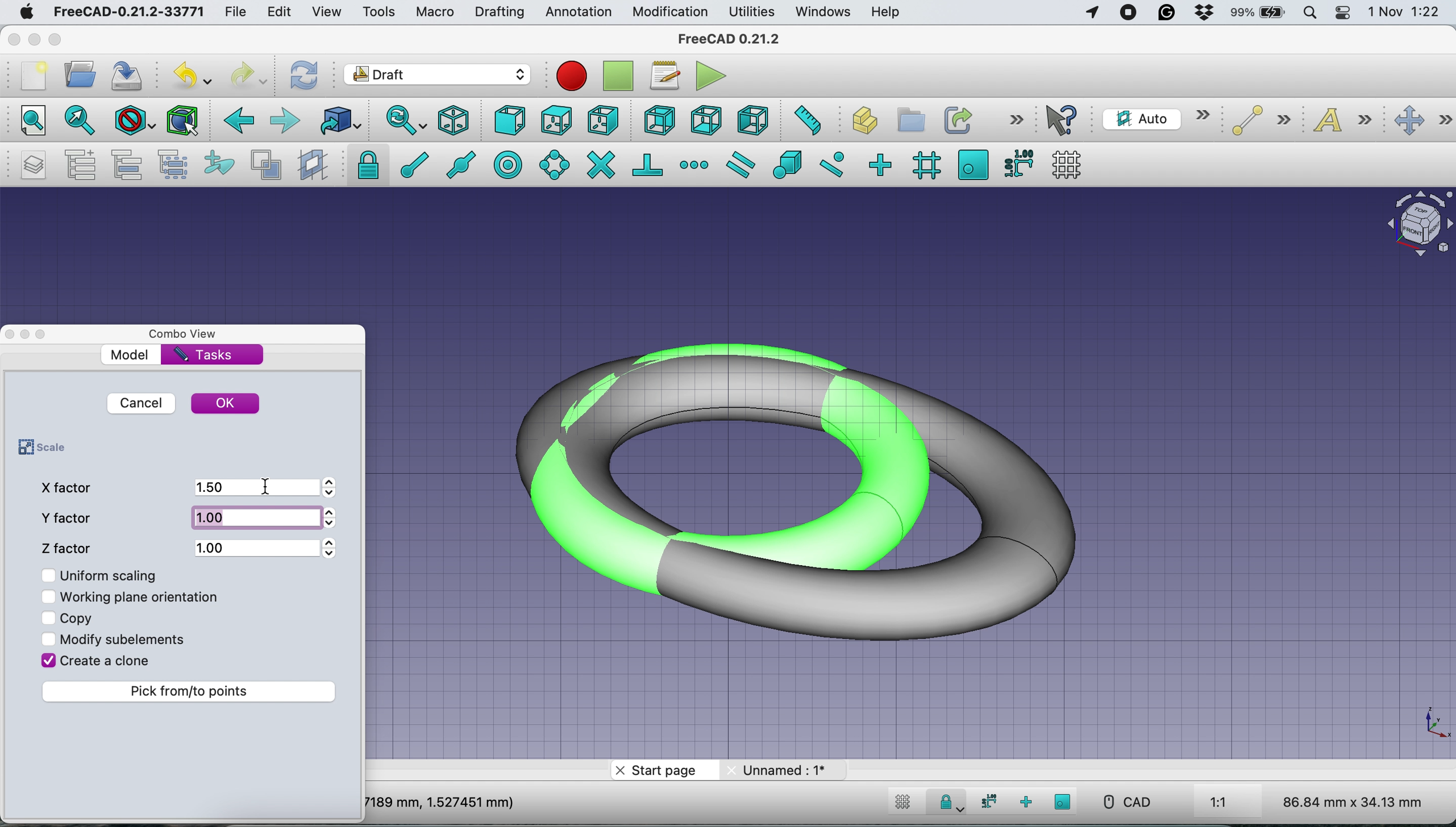 The image size is (1456, 827). Describe the element at coordinates (215, 165) in the screenshot. I see `add to construction group` at that location.